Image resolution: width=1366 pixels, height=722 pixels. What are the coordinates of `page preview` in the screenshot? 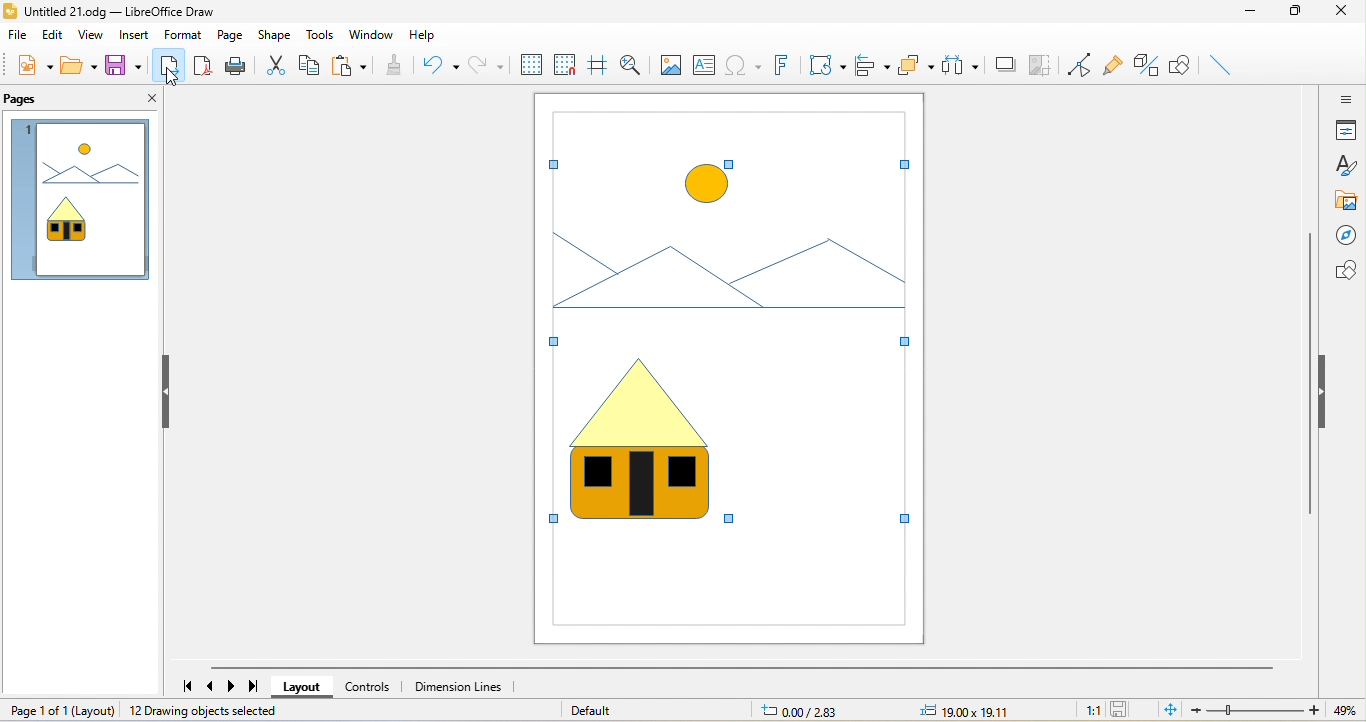 It's located at (79, 203).